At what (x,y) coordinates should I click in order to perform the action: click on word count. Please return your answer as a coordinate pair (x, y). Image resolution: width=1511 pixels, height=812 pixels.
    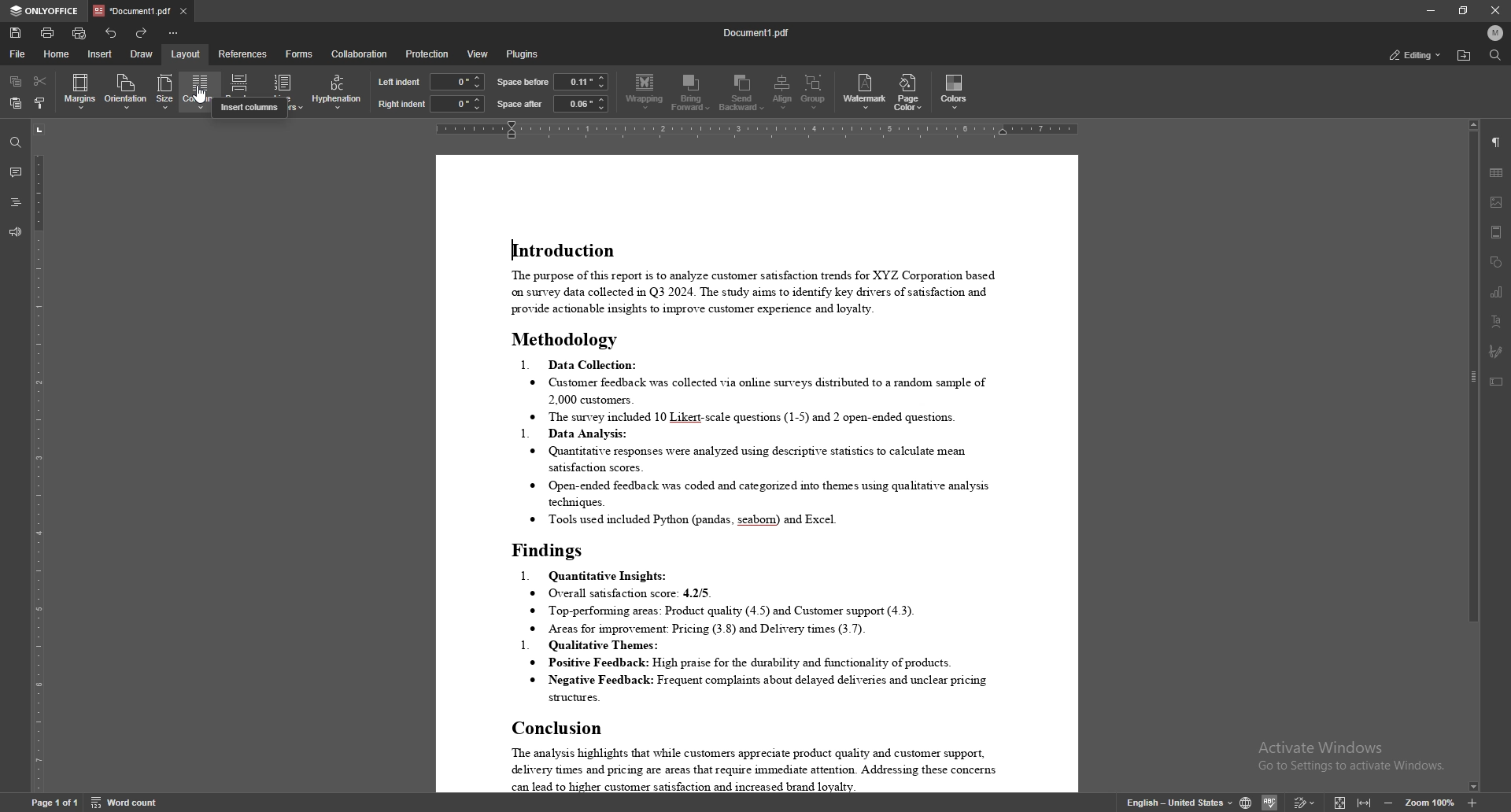
    Looking at the image, I should click on (124, 802).